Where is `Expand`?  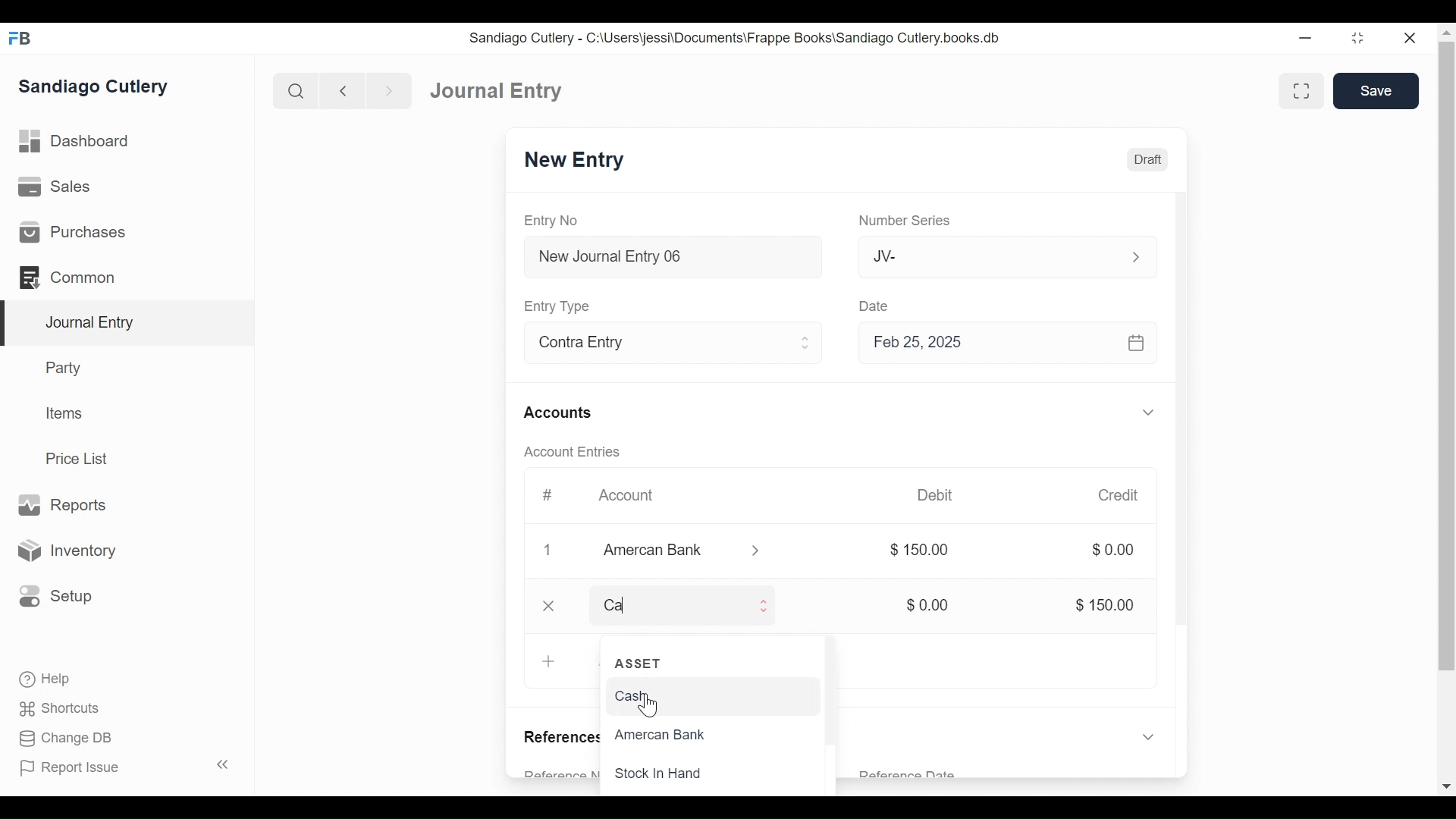 Expand is located at coordinates (1138, 255).